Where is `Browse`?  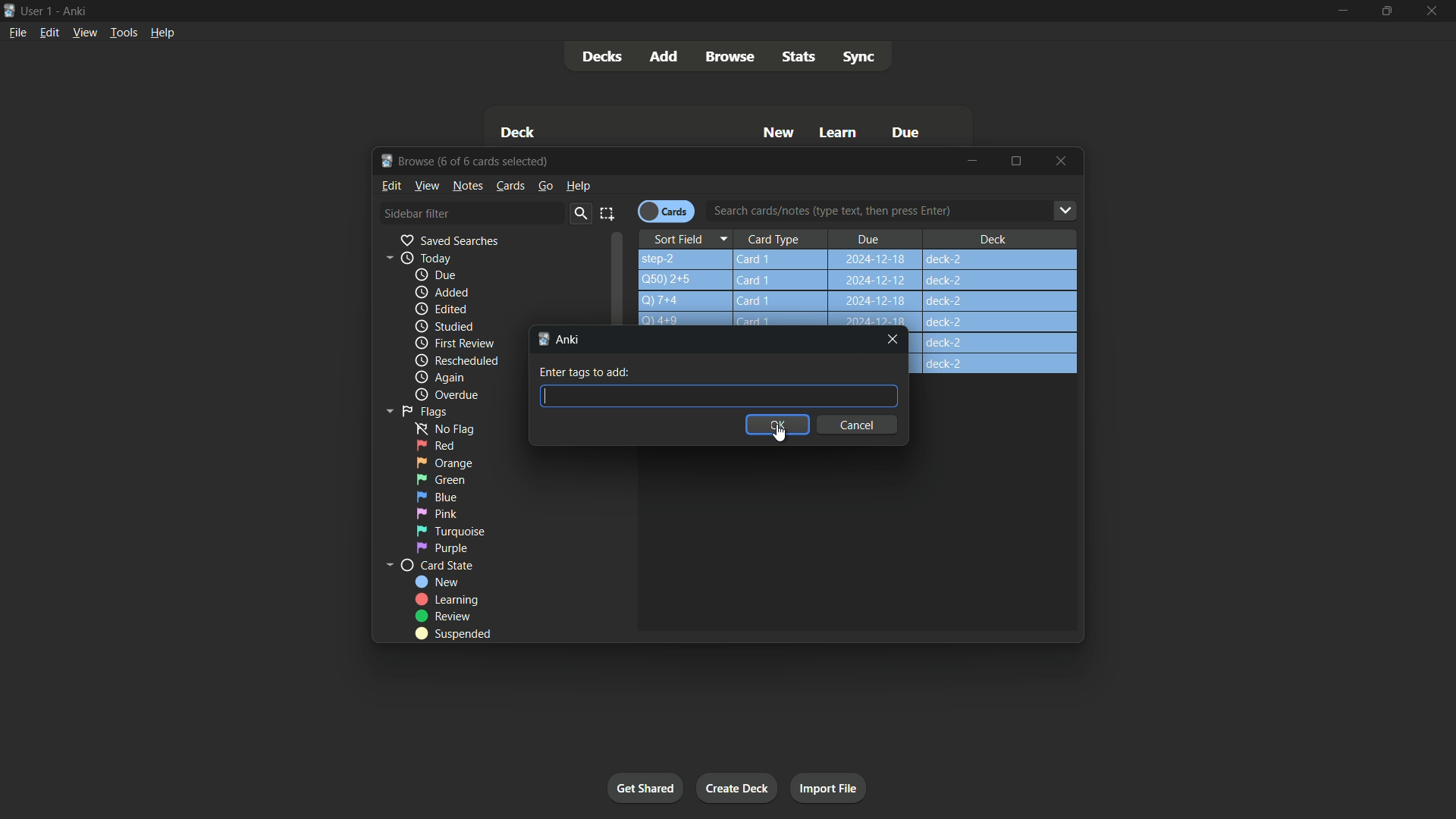
Browse is located at coordinates (729, 56).